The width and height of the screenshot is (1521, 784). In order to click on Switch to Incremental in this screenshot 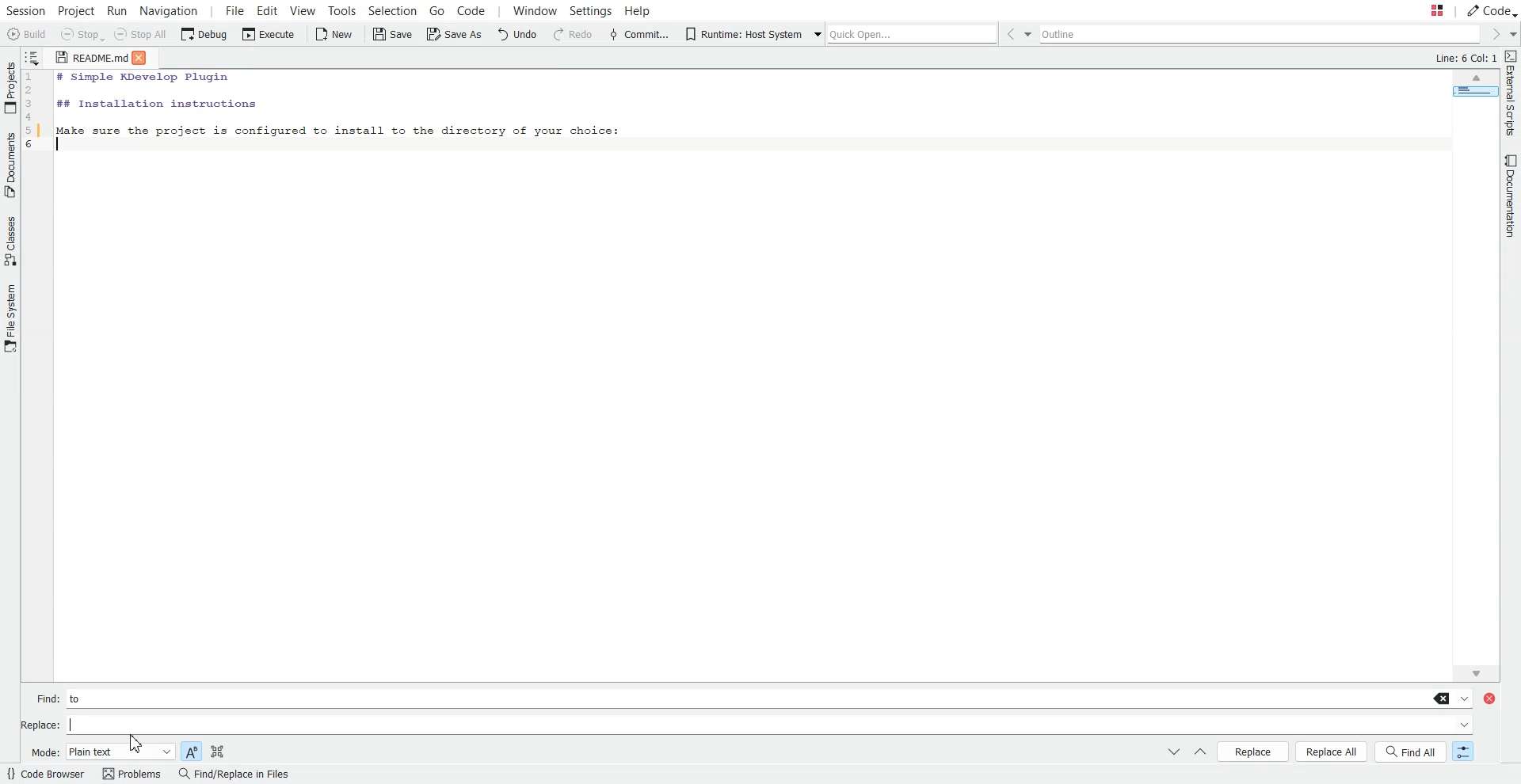, I will do `click(1460, 752)`.